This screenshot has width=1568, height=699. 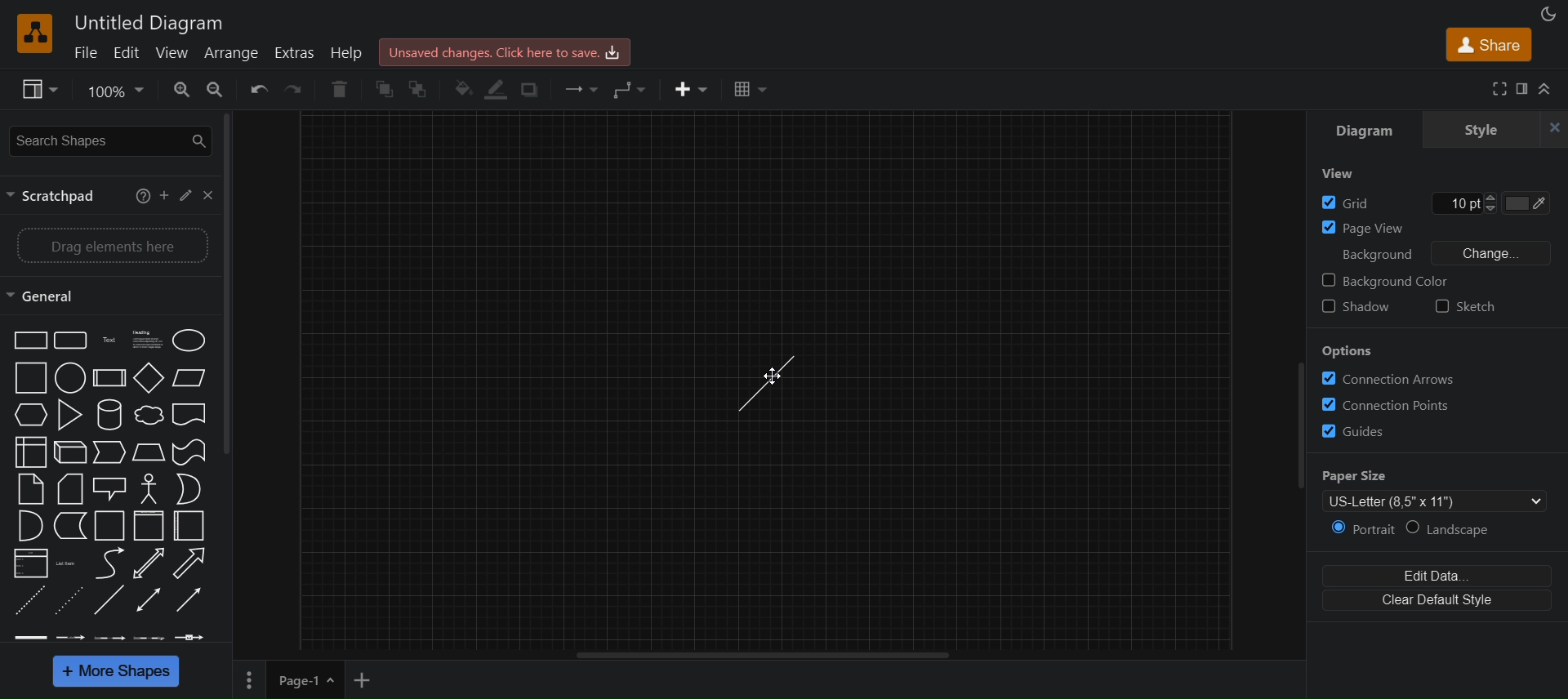 I want to click on And, so click(x=29, y=525).